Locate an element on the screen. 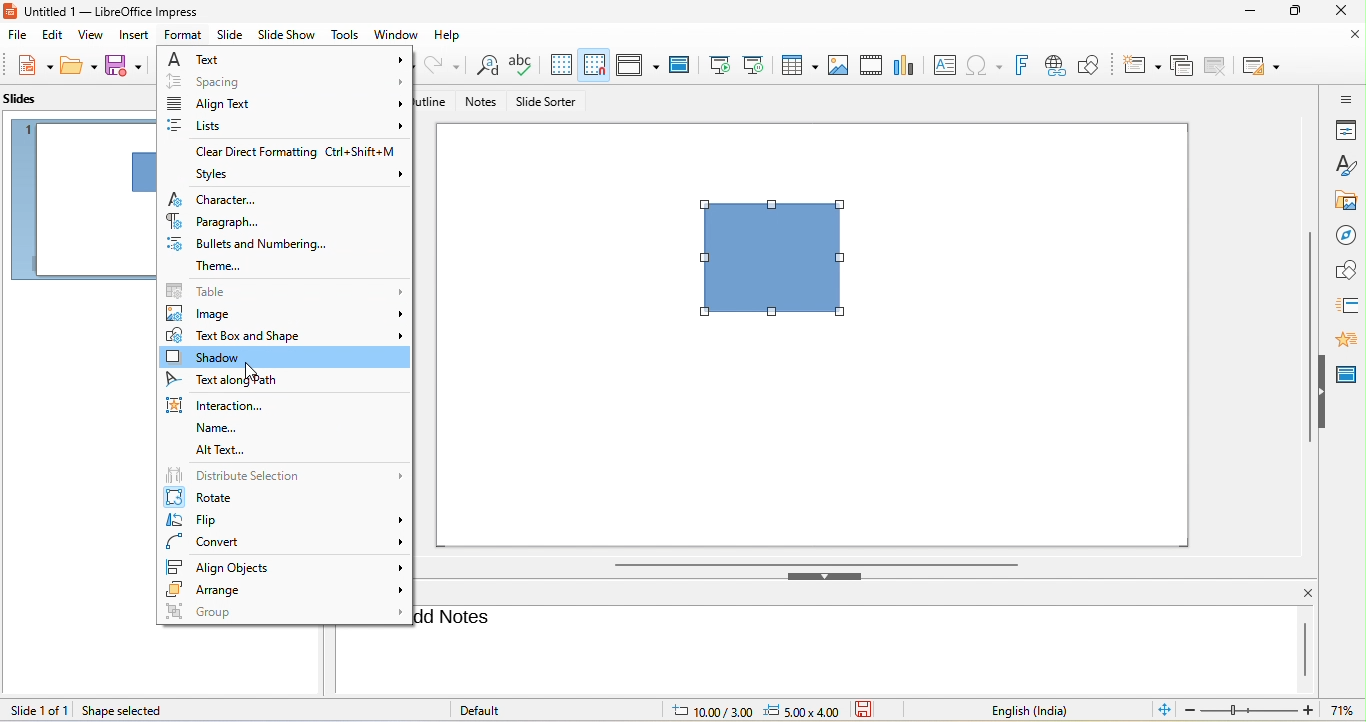 The height and width of the screenshot is (722, 1366). cursor movement  is located at coordinates (253, 372).